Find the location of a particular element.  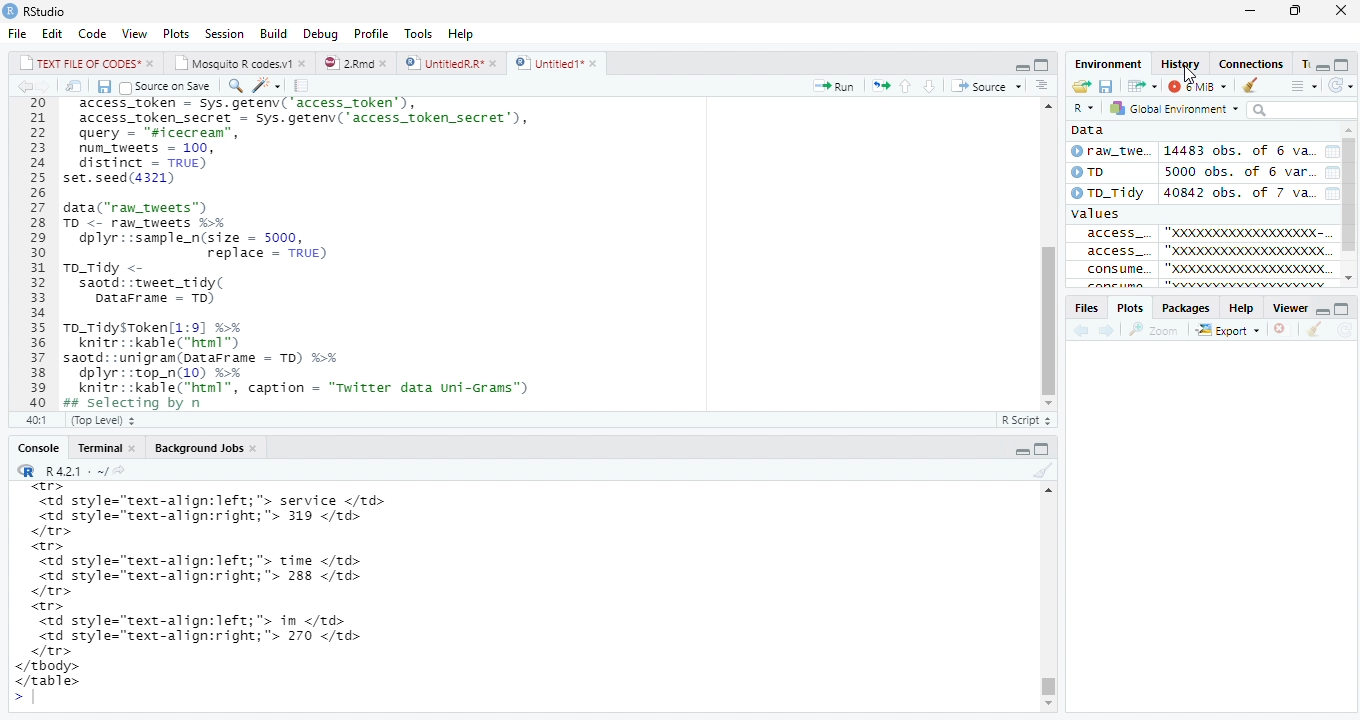

cursor is located at coordinates (1189, 76).